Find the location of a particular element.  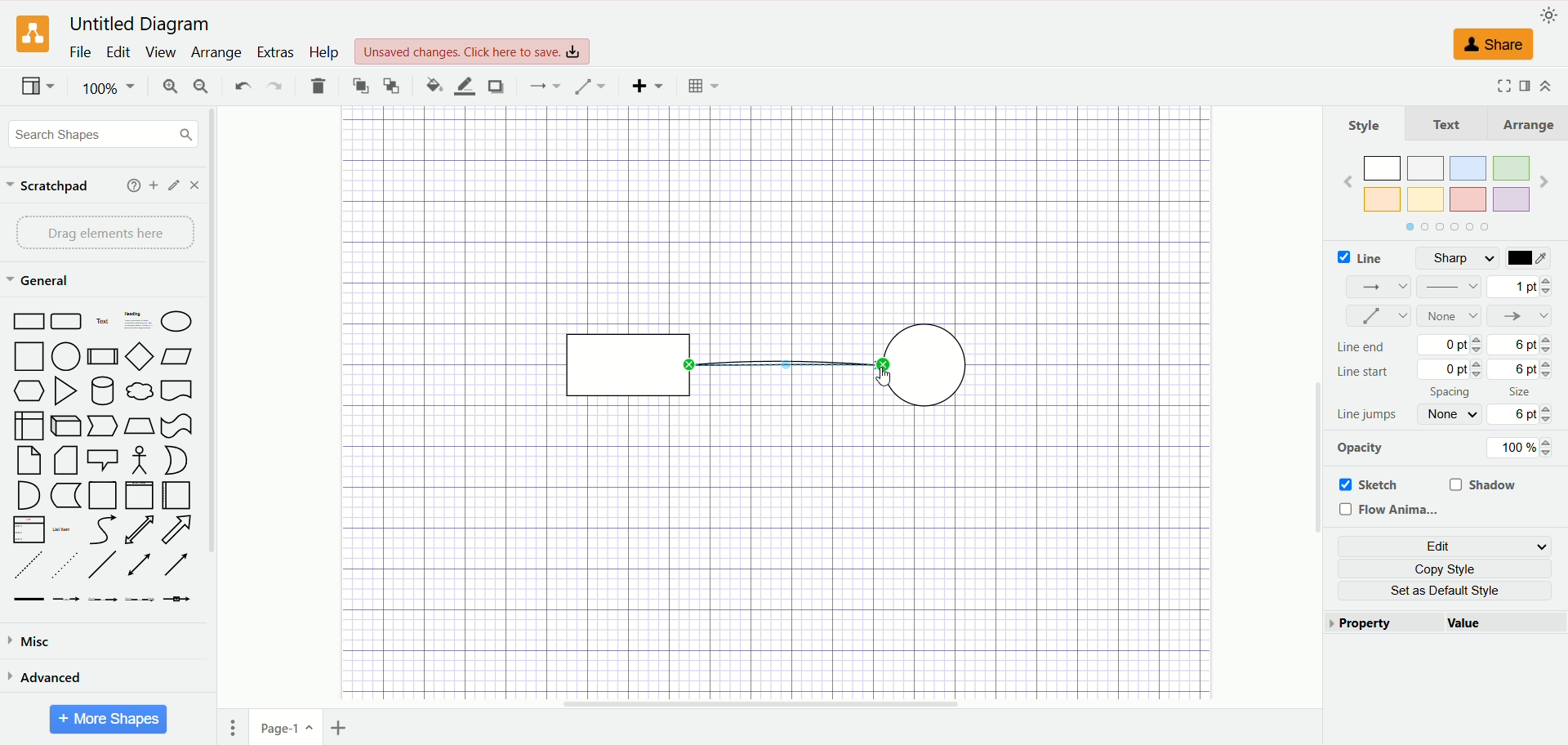

Cylinder is located at coordinates (104, 391).